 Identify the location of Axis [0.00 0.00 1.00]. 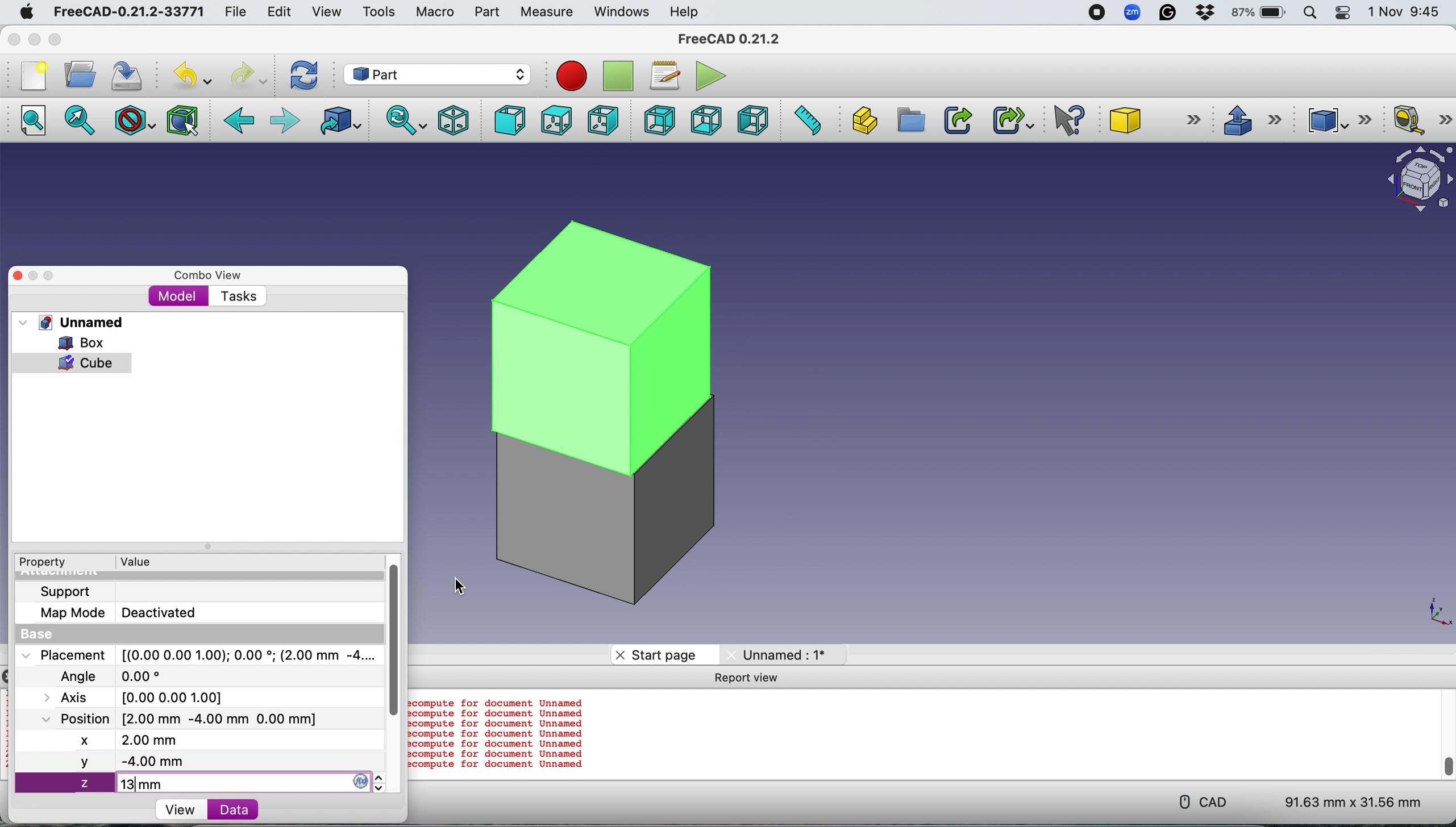
(143, 697).